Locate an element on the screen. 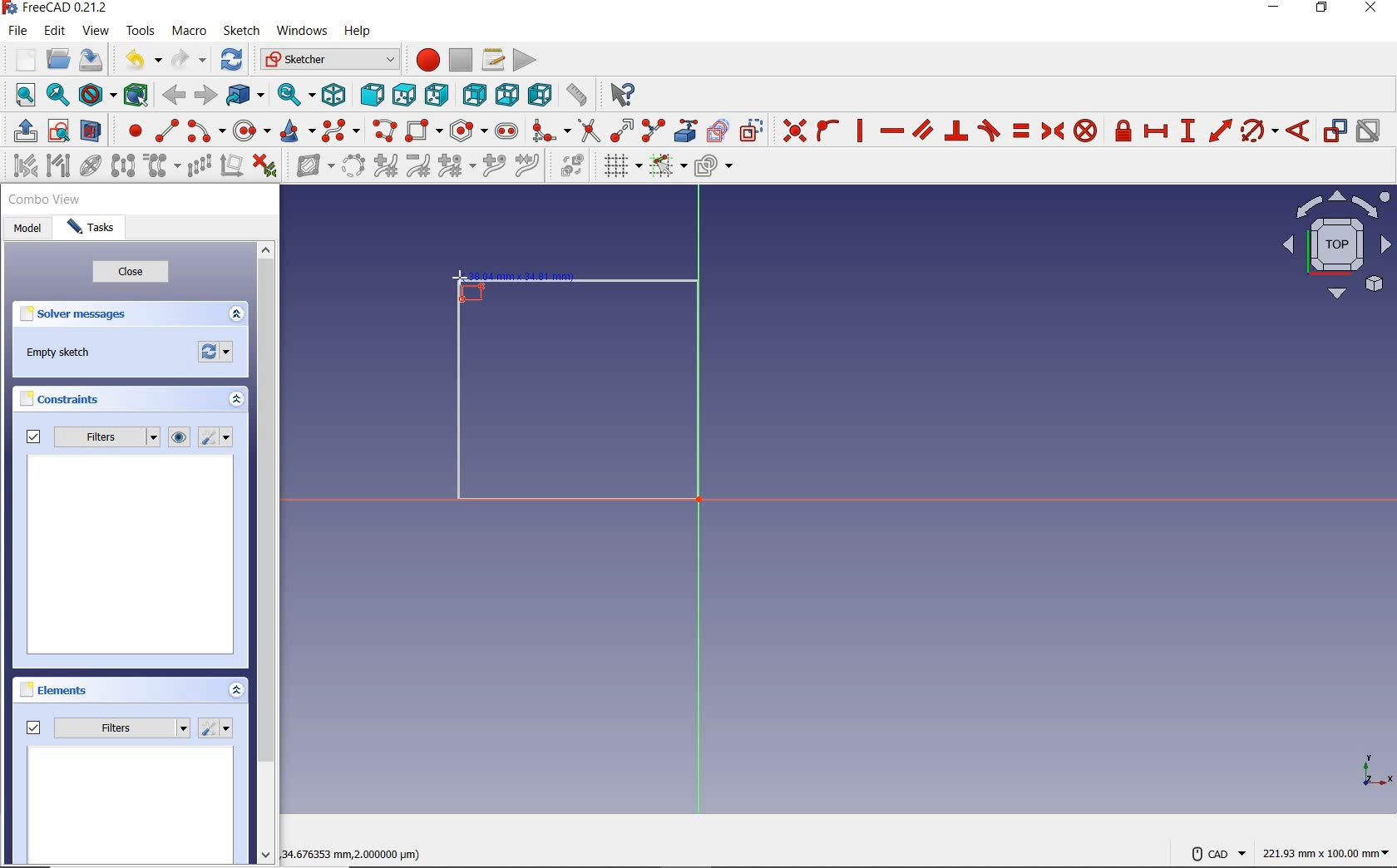 The image size is (1397, 868). execute macro is located at coordinates (525, 60).